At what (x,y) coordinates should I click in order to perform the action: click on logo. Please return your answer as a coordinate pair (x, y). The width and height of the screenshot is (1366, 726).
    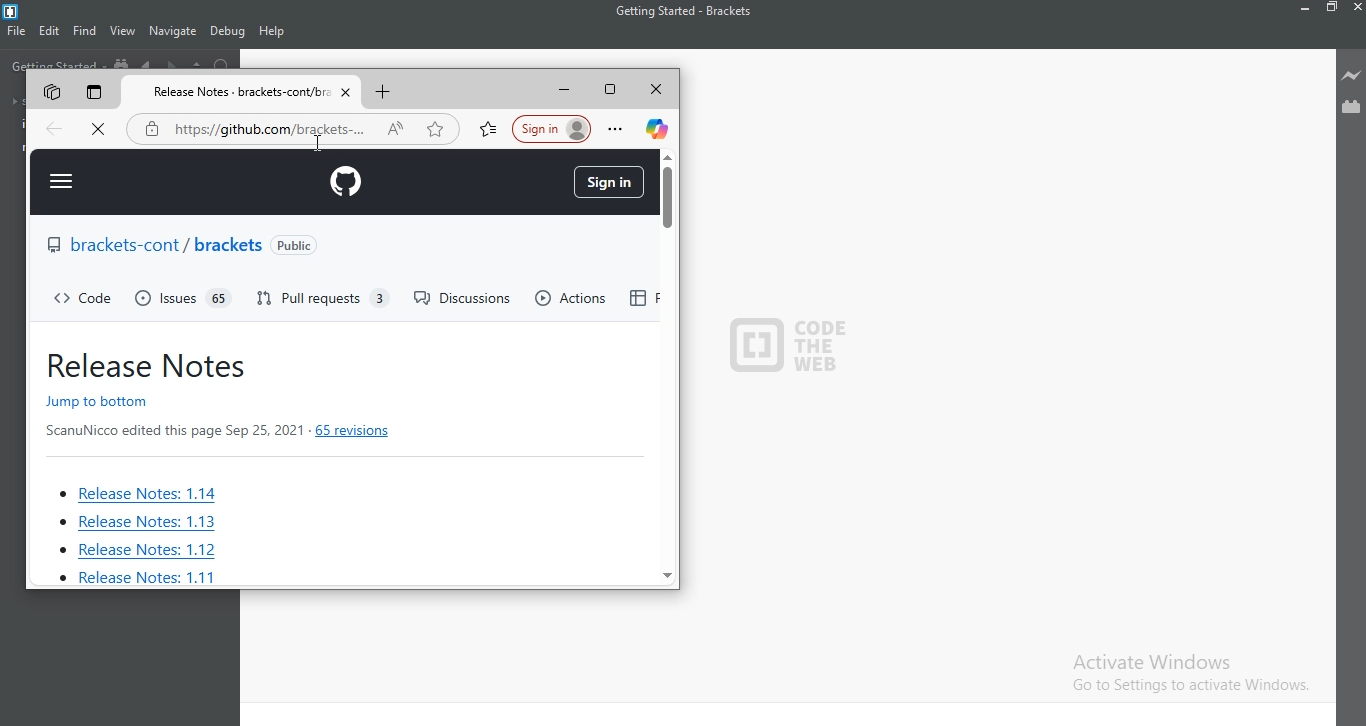
    Looking at the image, I should click on (790, 345).